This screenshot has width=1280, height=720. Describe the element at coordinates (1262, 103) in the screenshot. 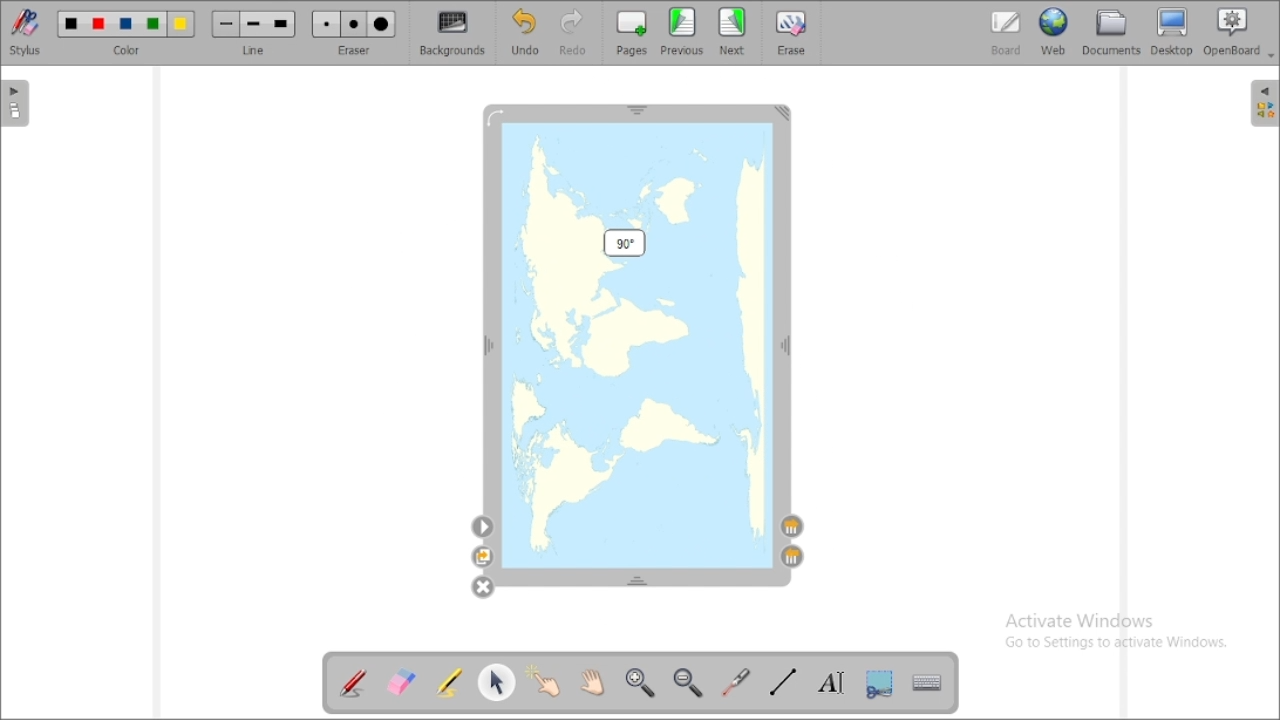

I see `sidebar settings` at that location.